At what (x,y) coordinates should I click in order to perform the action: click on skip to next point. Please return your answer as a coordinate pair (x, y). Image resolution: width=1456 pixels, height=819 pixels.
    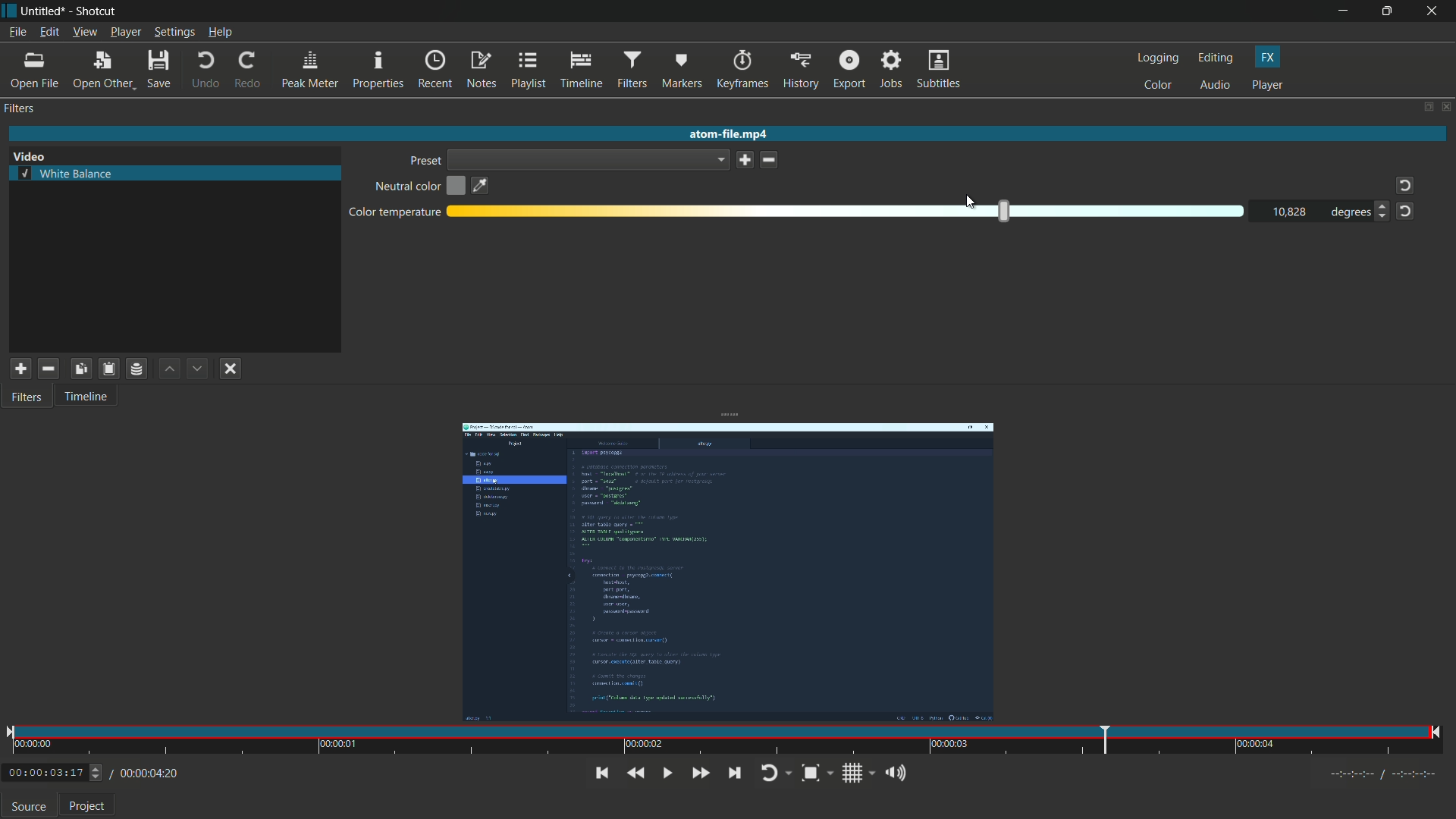
    Looking at the image, I should click on (734, 773).